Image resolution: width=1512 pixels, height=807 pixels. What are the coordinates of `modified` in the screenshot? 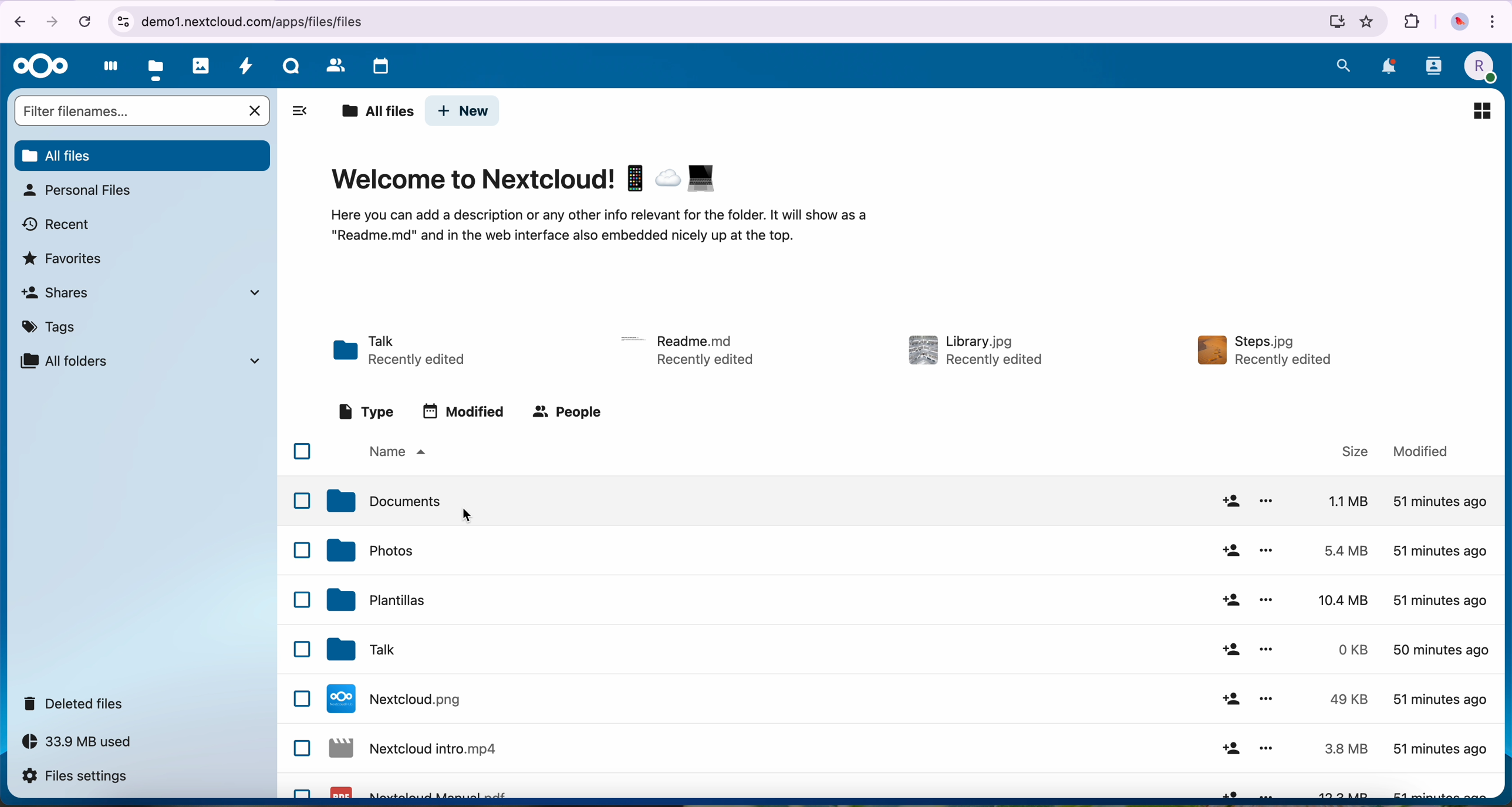 It's located at (1440, 650).